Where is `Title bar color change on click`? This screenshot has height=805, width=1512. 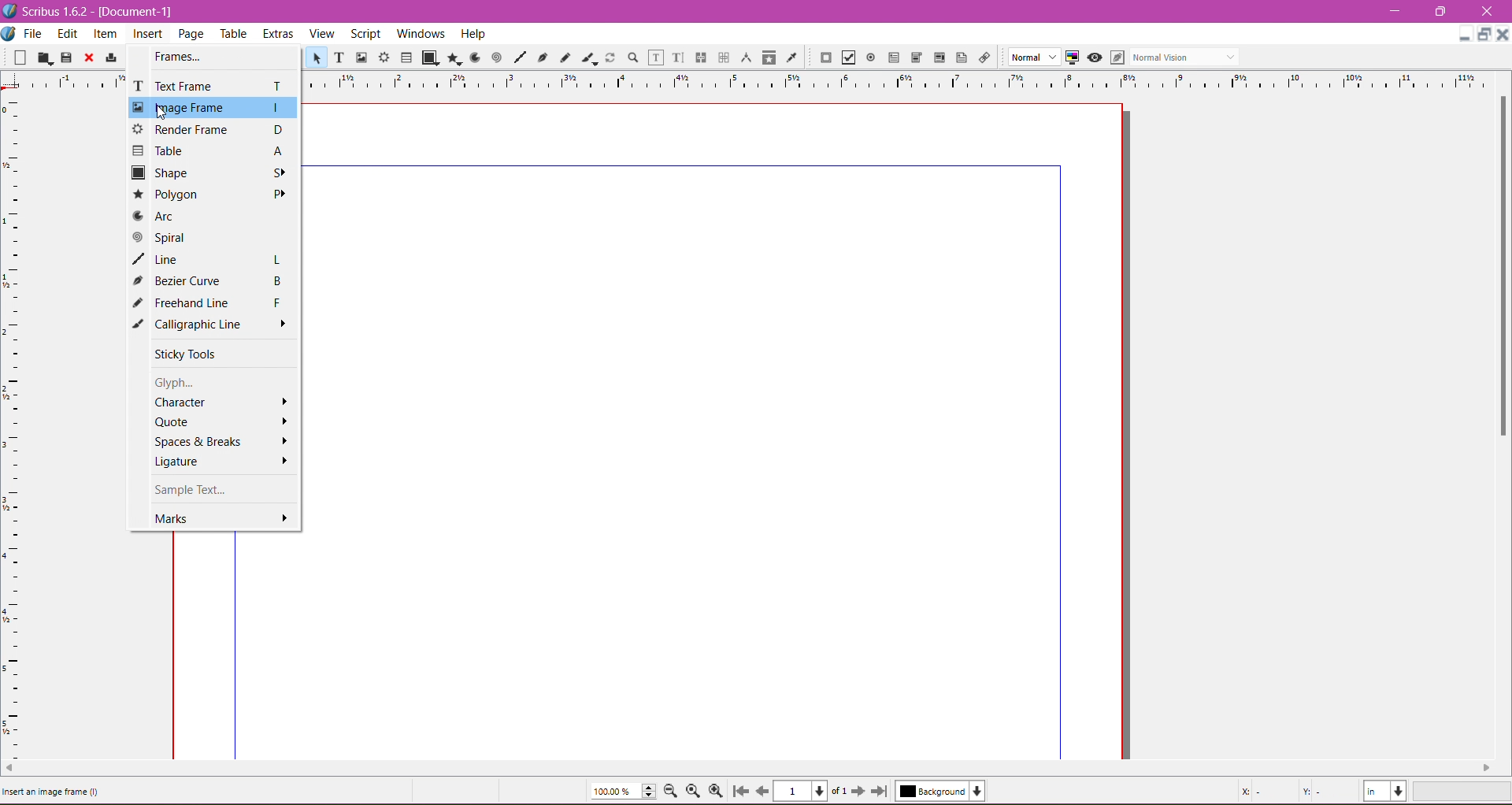 Title bar color change on click is located at coordinates (770, 11).